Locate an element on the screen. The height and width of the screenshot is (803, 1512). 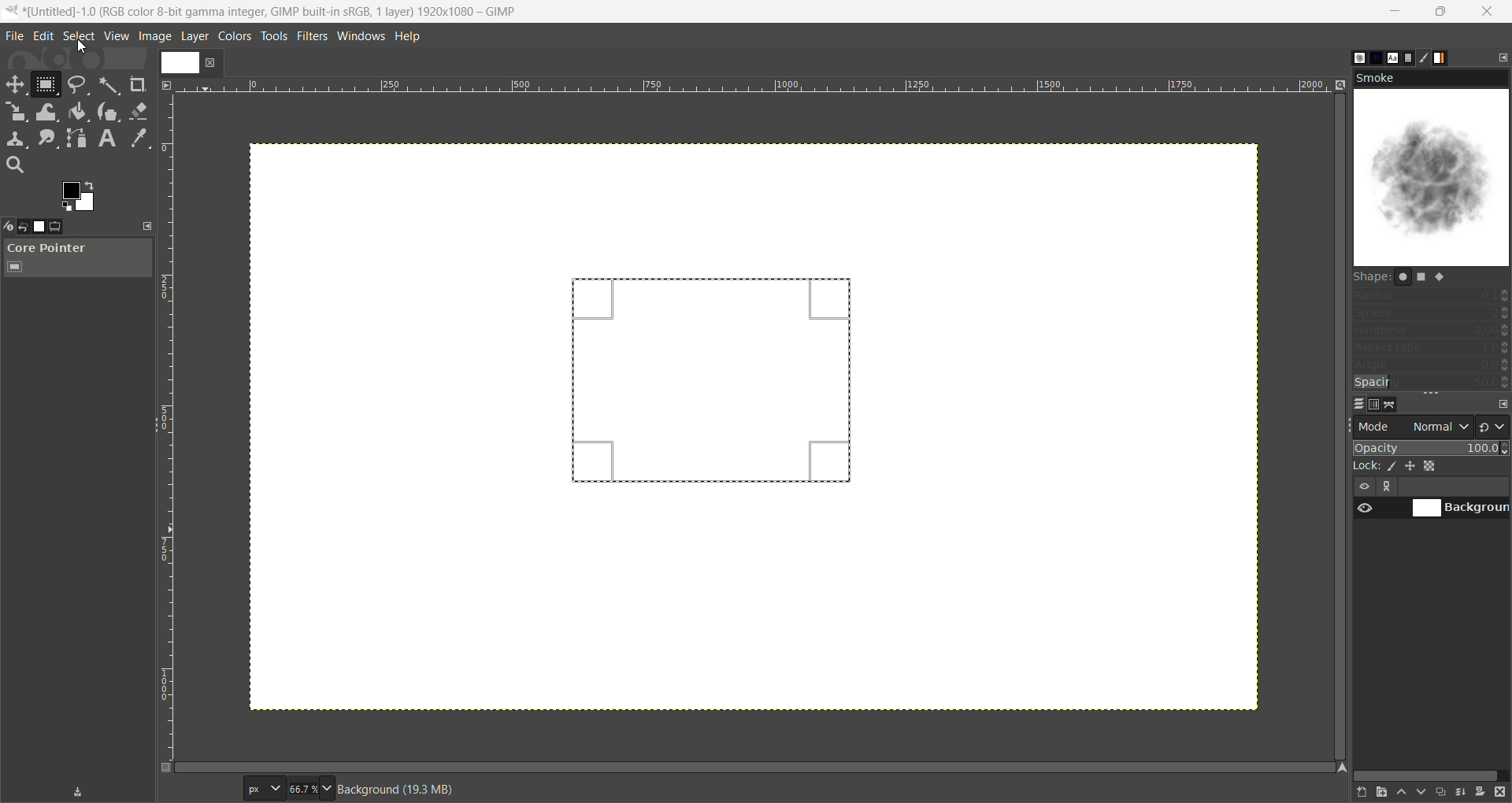
font is located at coordinates (1388, 57).